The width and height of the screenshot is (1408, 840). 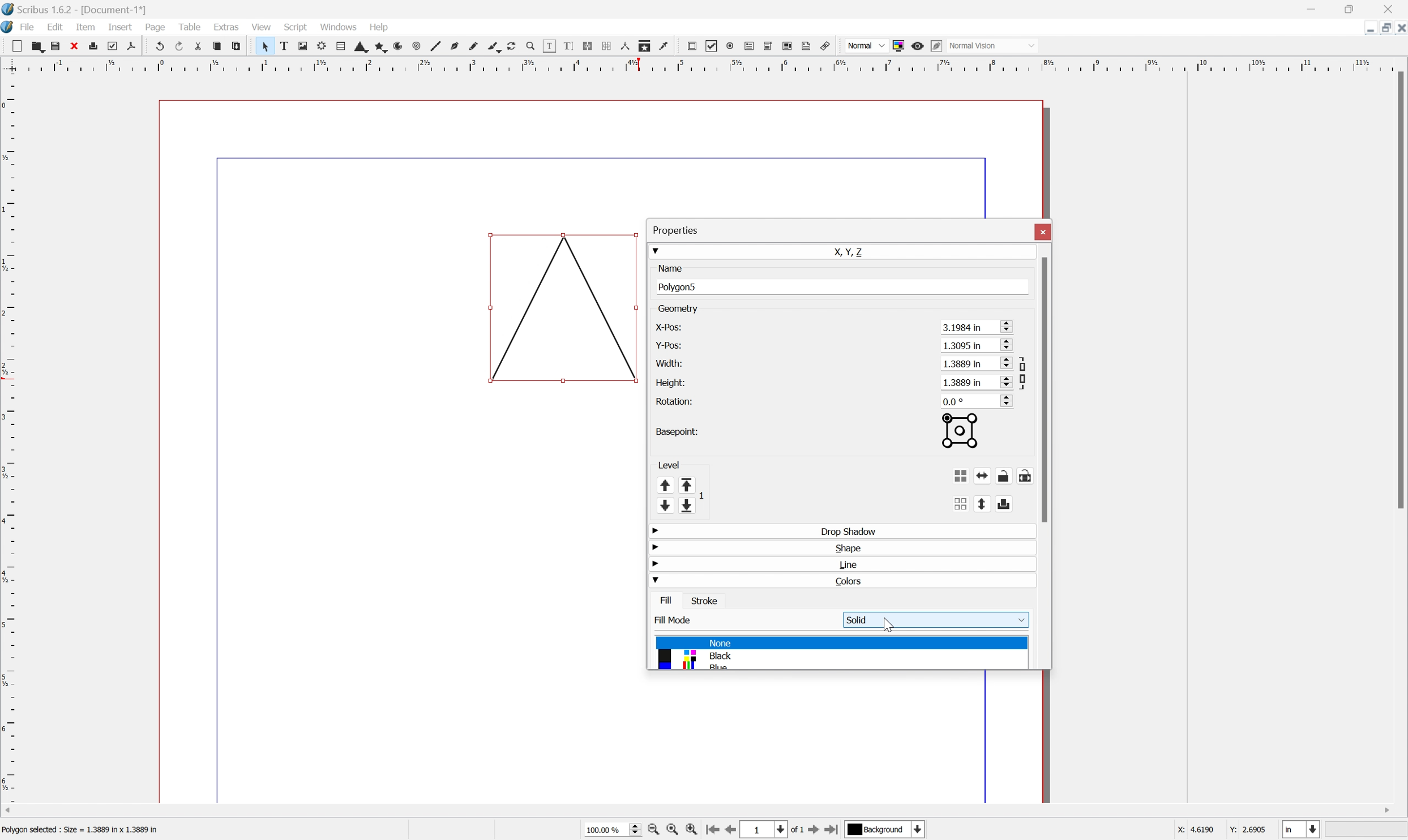 What do you see at coordinates (654, 564) in the screenshot?
I see `Drop Down` at bounding box center [654, 564].